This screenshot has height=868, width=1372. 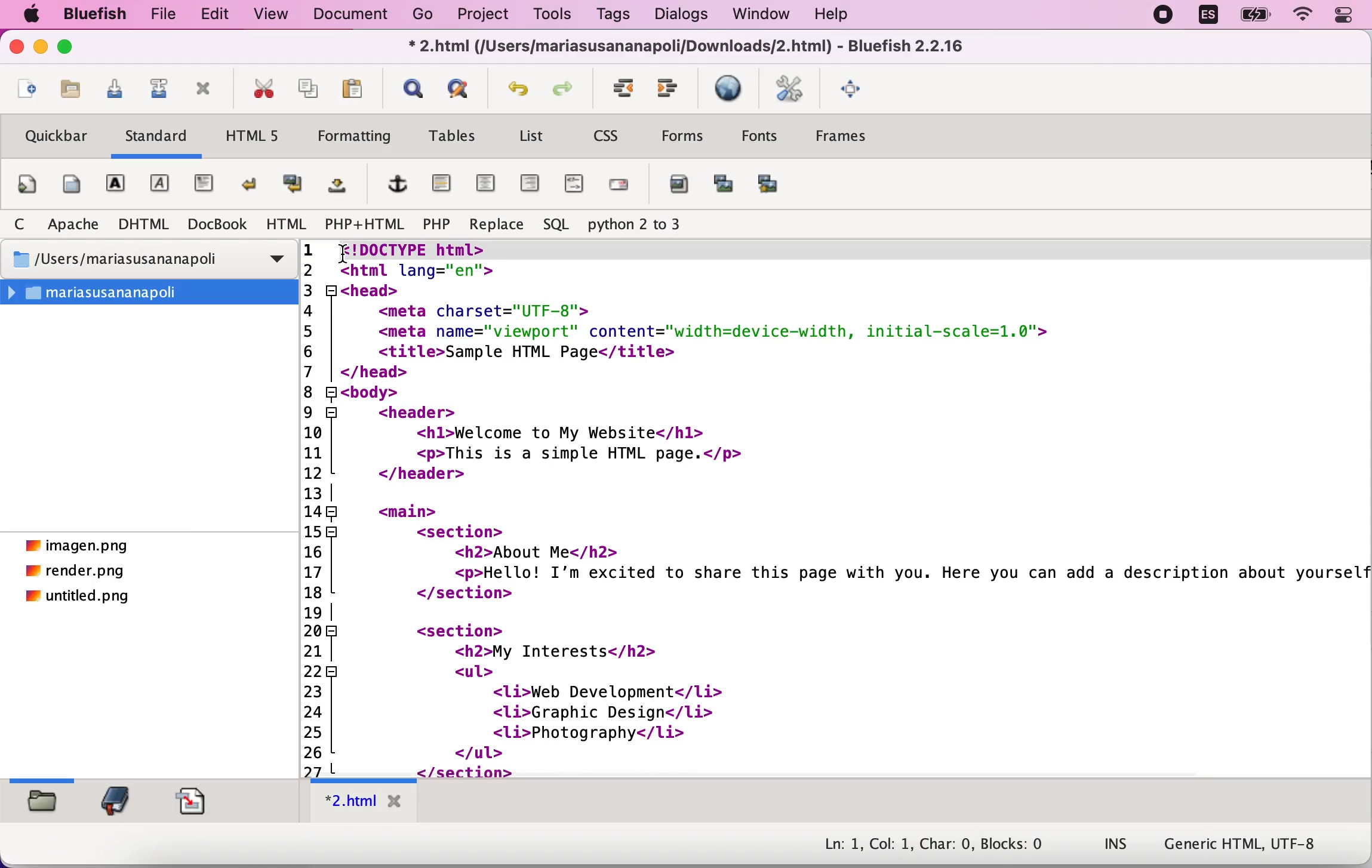 I want to click on strong, so click(x=116, y=186).